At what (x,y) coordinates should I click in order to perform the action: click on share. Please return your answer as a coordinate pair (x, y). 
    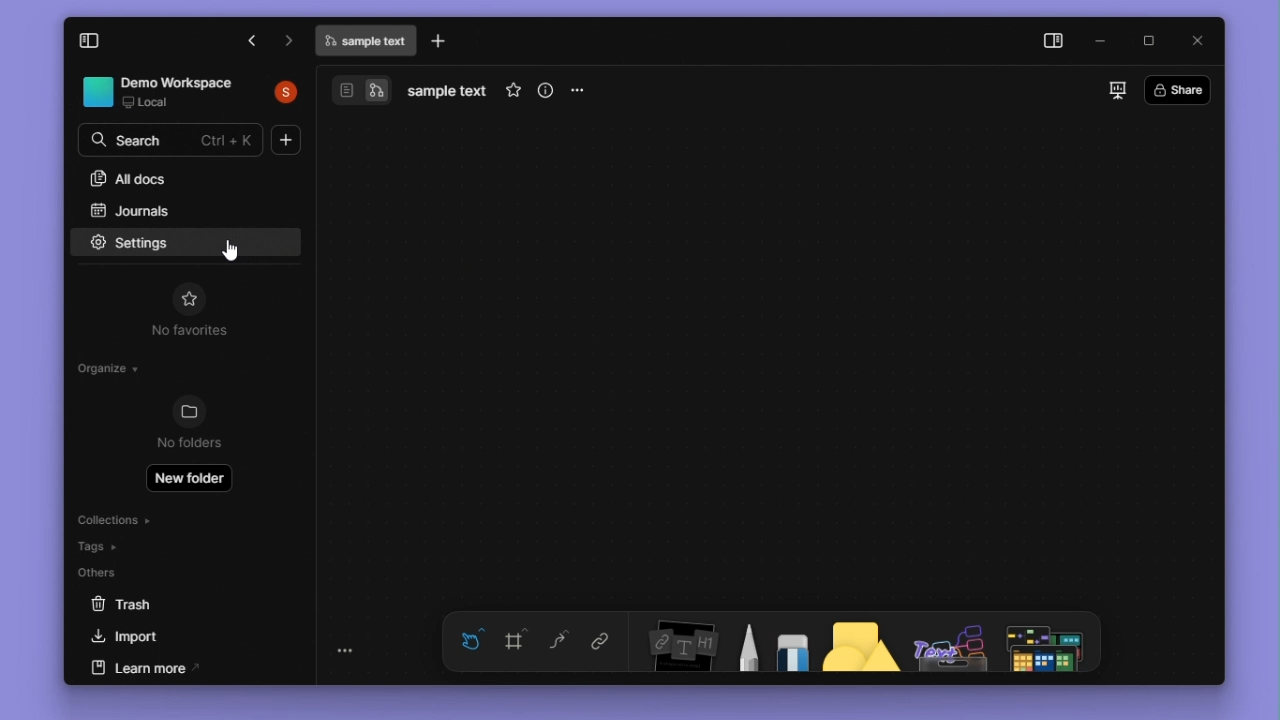
    Looking at the image, I should click on (1178, 90).